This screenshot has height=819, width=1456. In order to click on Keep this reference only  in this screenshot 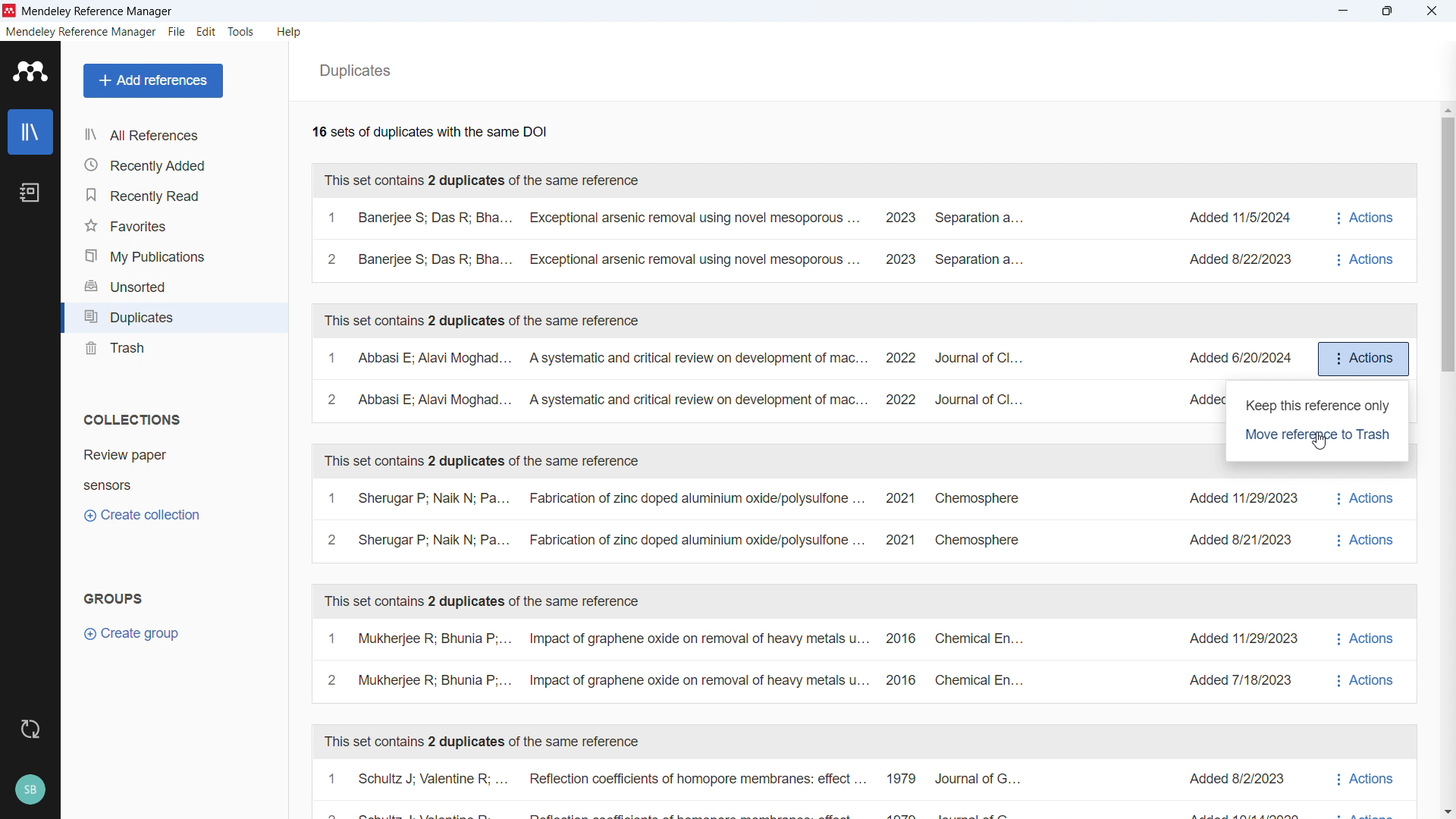, I will do `click(1317, 405)`.